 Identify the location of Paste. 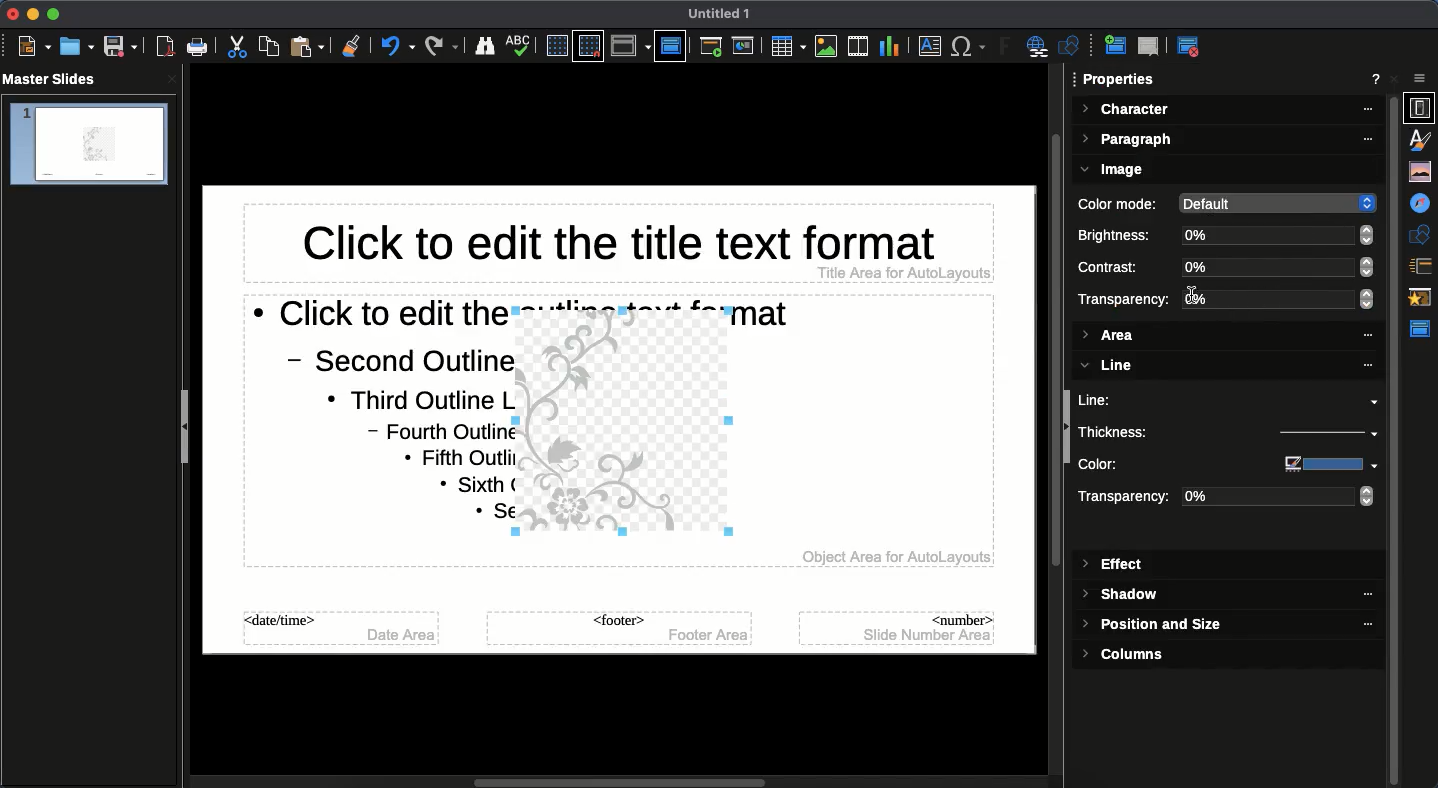
(309, 46).